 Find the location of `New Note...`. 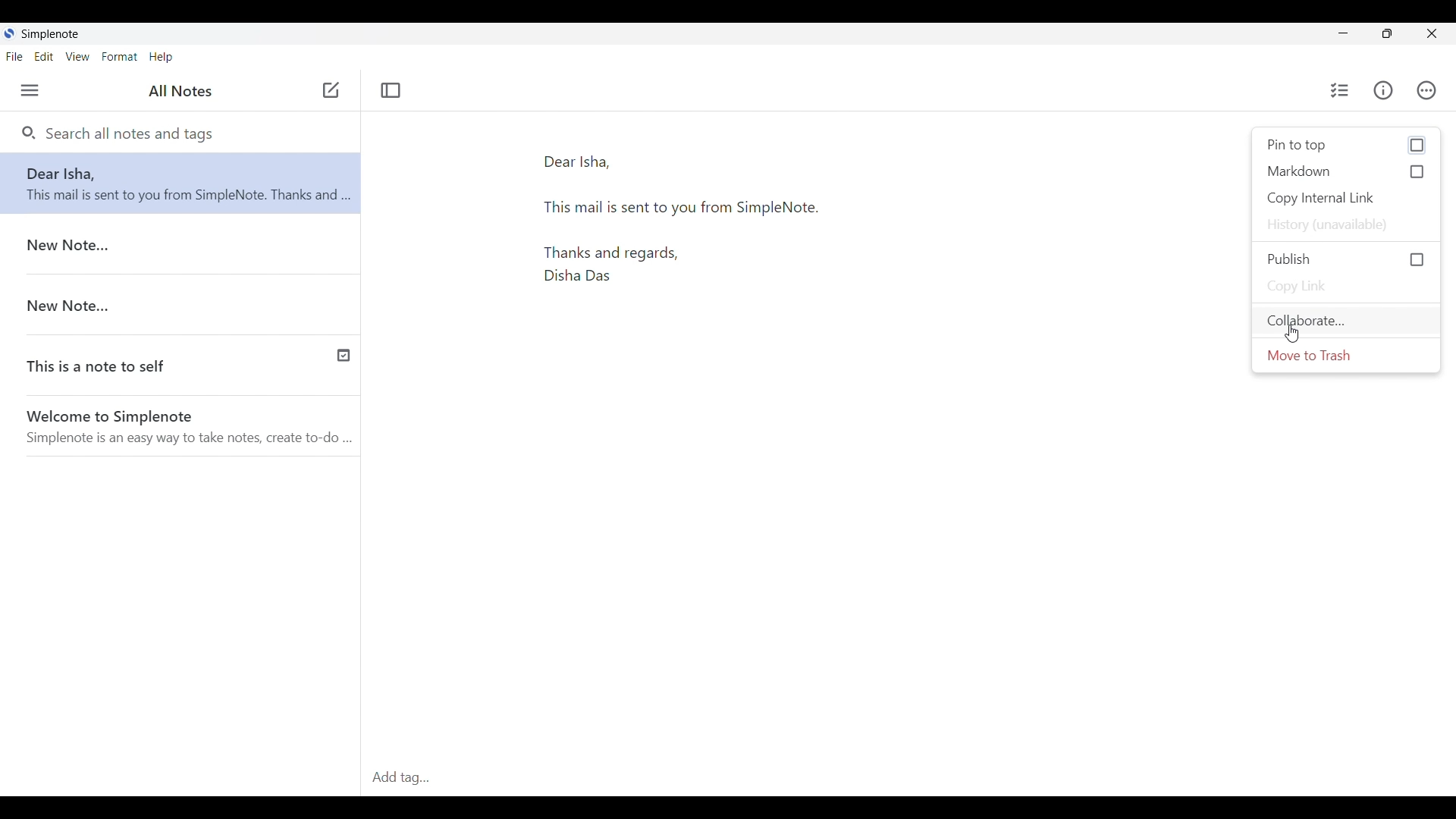

New Note... is located at coordinates (190, 300).